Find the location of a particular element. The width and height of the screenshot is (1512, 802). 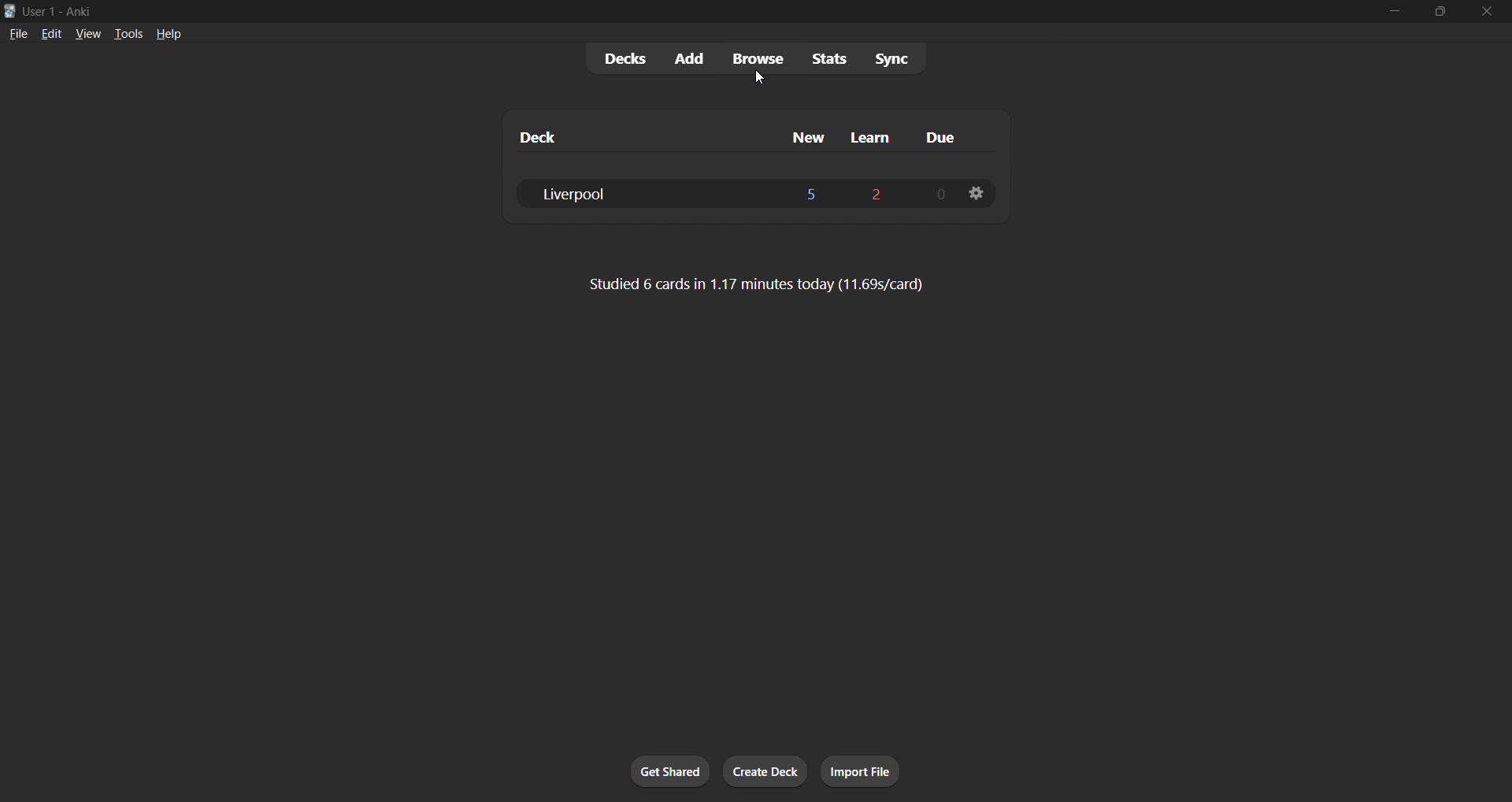

new cards is located at coordinates (1677, 279).